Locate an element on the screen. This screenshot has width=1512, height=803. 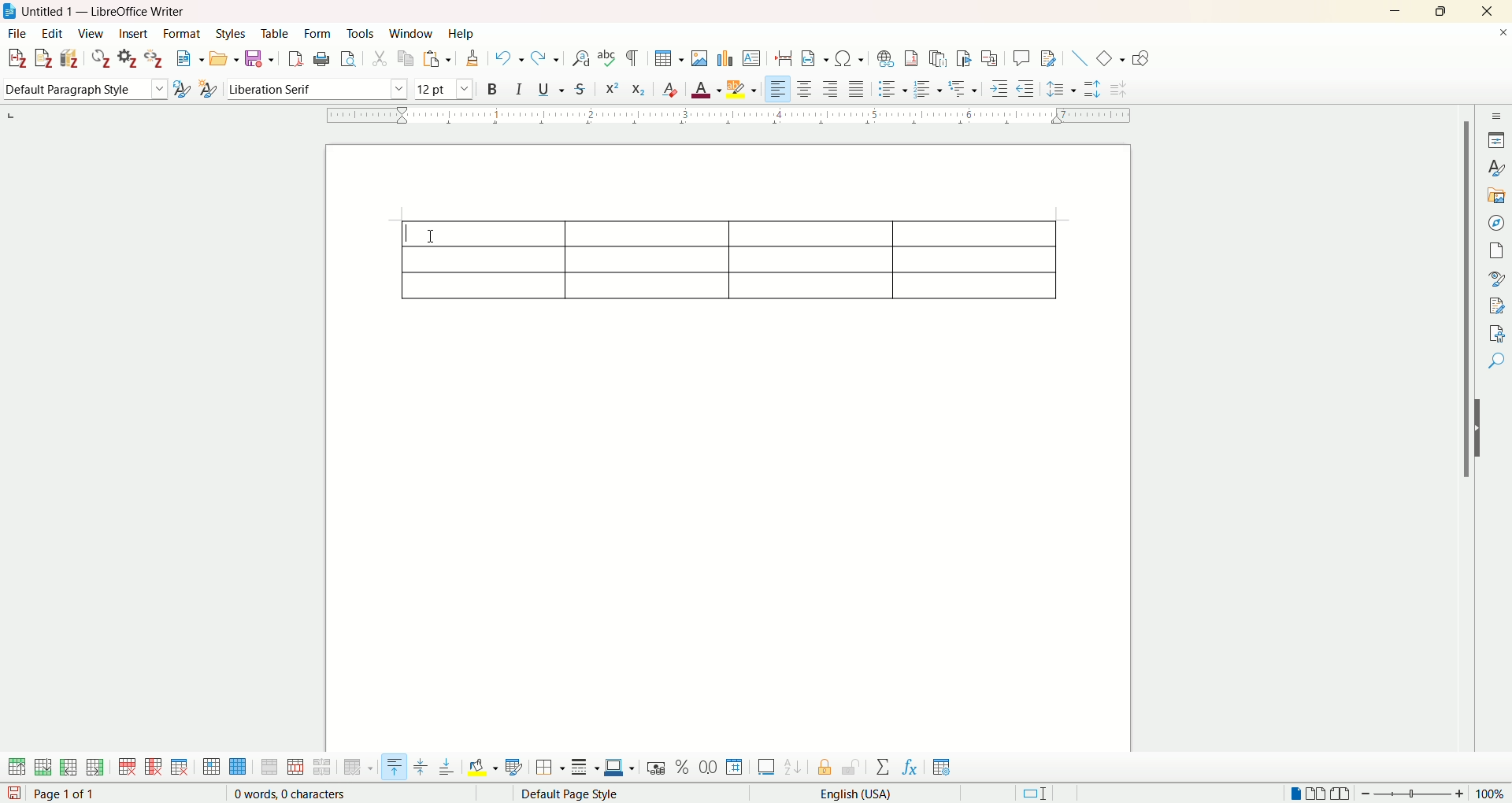
find is located at coordinates (1499, 361).